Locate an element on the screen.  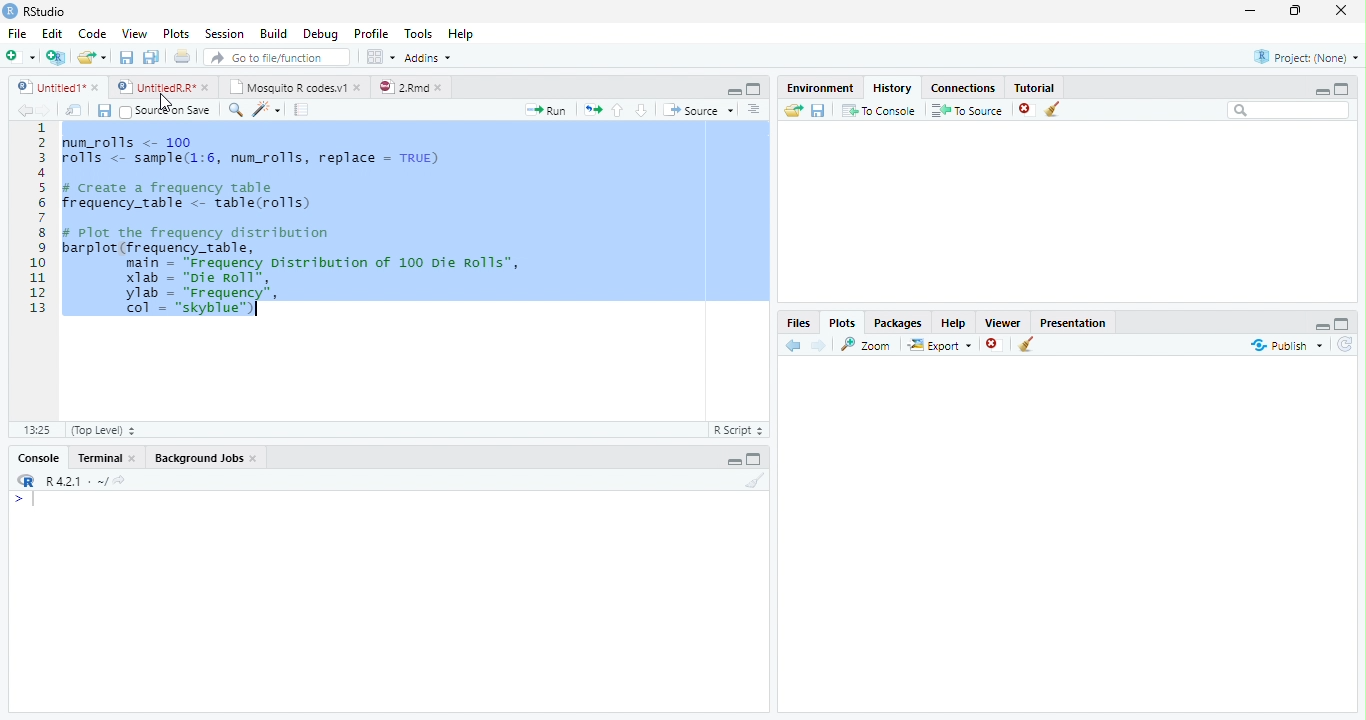
©) 28md is located at coordinates (410, 87).